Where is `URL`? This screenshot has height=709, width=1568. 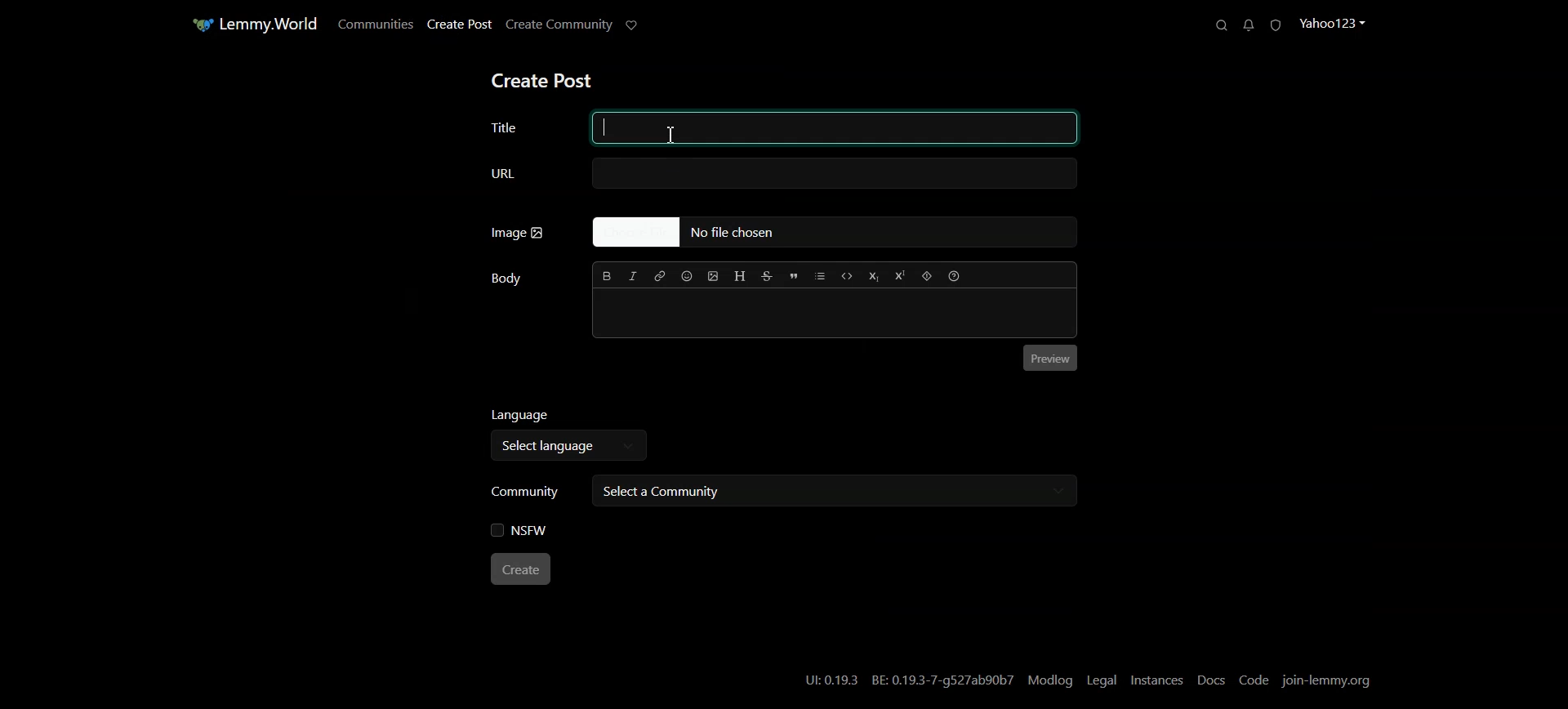 URL is located at coordinates (780, 174).